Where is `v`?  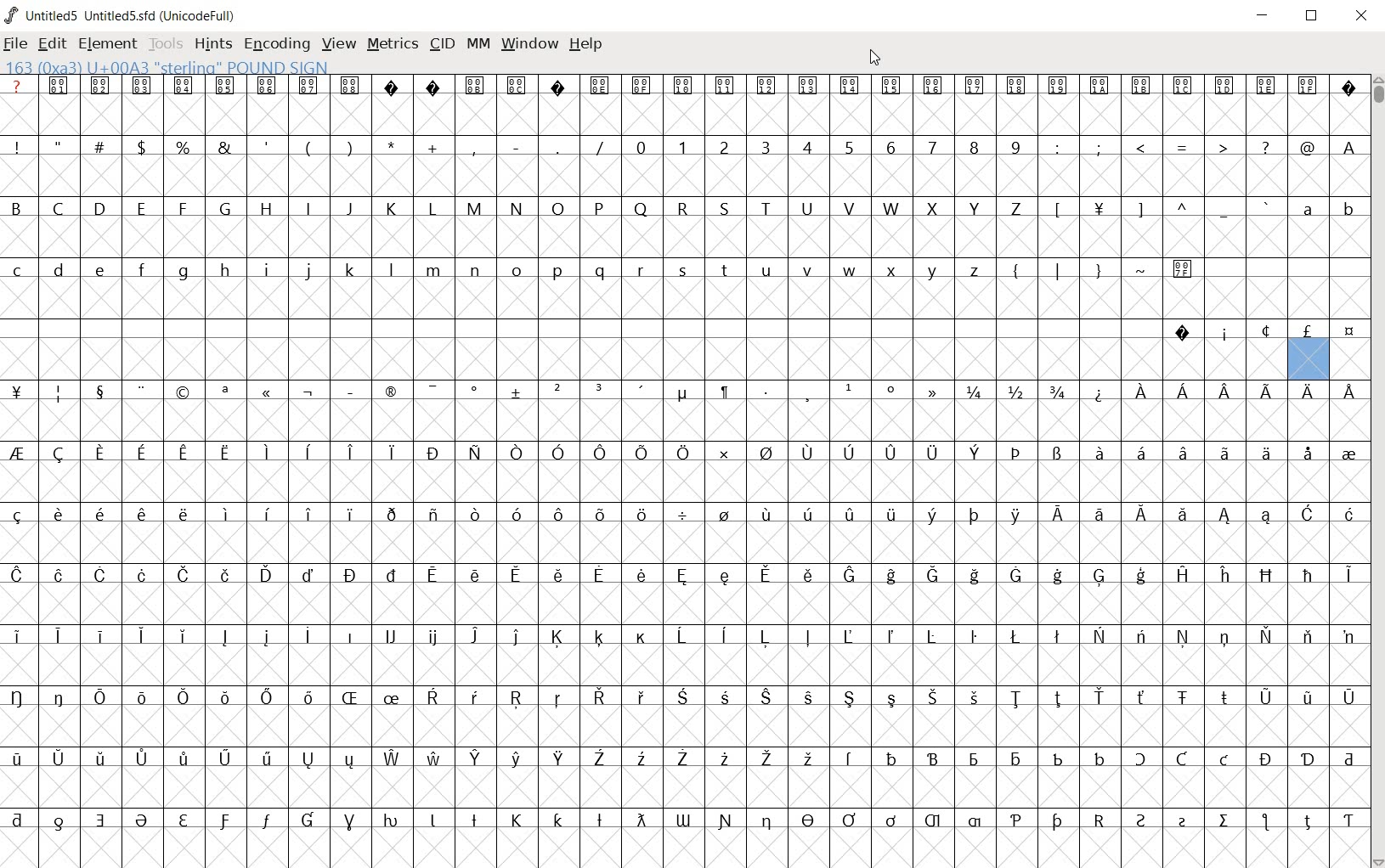
v is located at coordinates (808, 270).